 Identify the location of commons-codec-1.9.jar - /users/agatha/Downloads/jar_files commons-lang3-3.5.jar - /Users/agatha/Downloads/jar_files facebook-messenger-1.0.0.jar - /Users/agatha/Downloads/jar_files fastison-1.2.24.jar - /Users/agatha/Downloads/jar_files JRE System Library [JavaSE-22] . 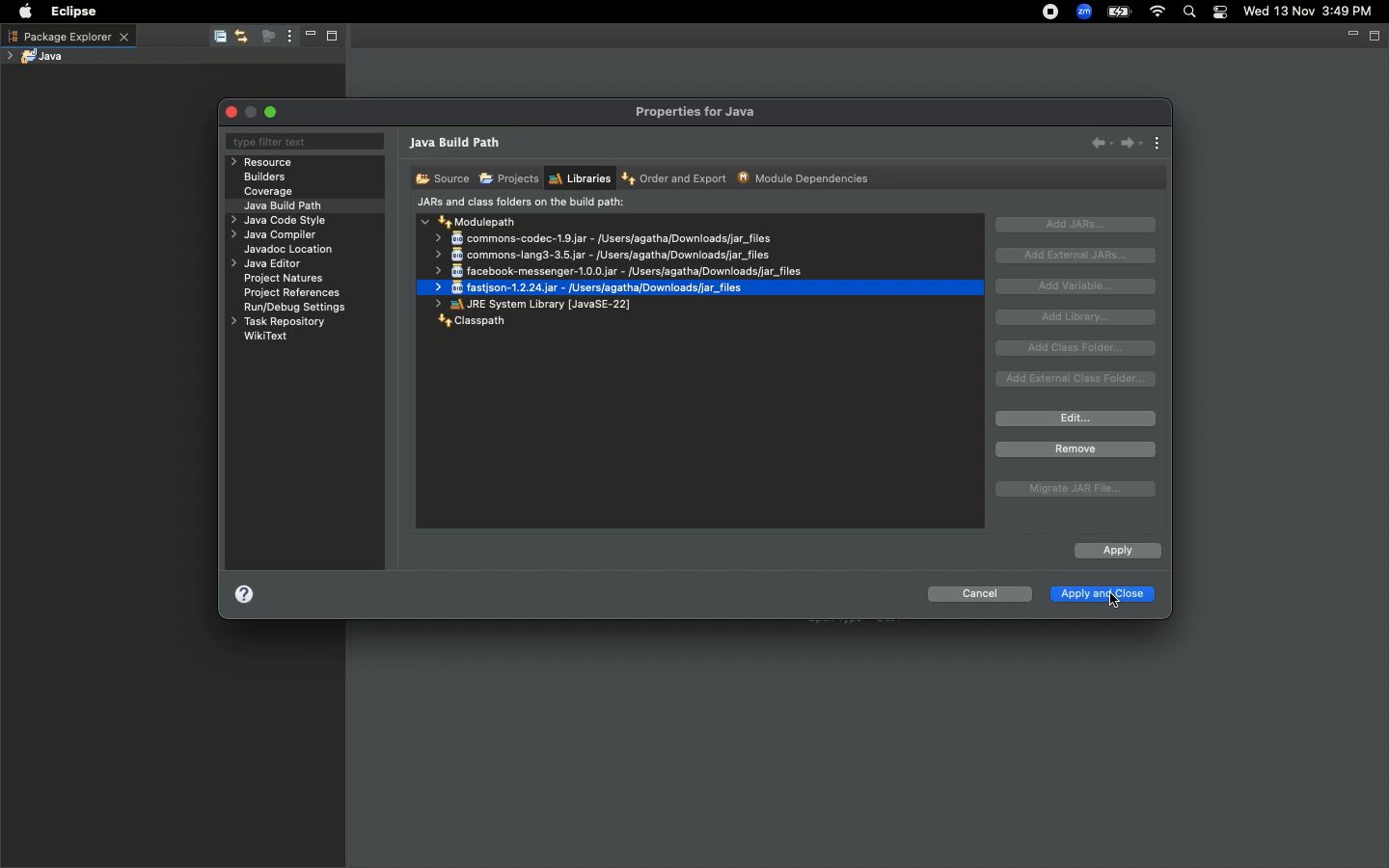
(701, 269).